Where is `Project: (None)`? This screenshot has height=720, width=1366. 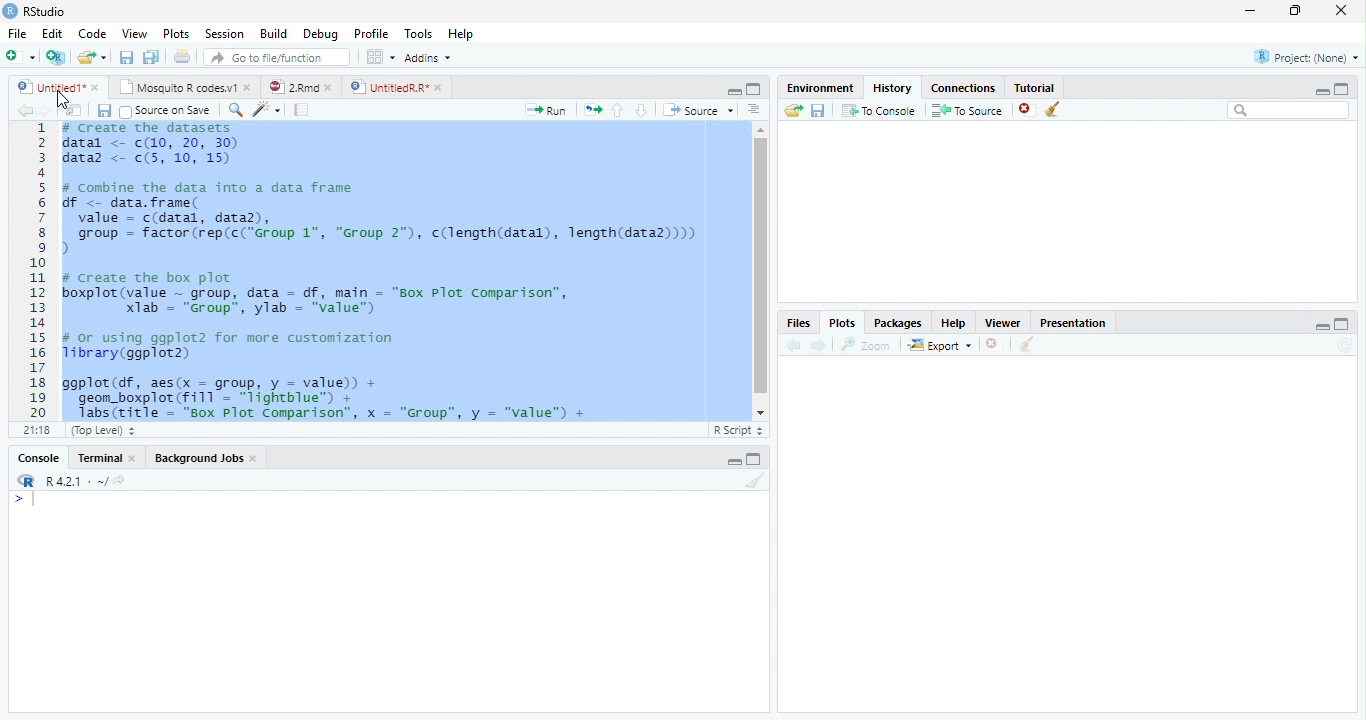 Project: (None) is located at coordinates (1307, 57).